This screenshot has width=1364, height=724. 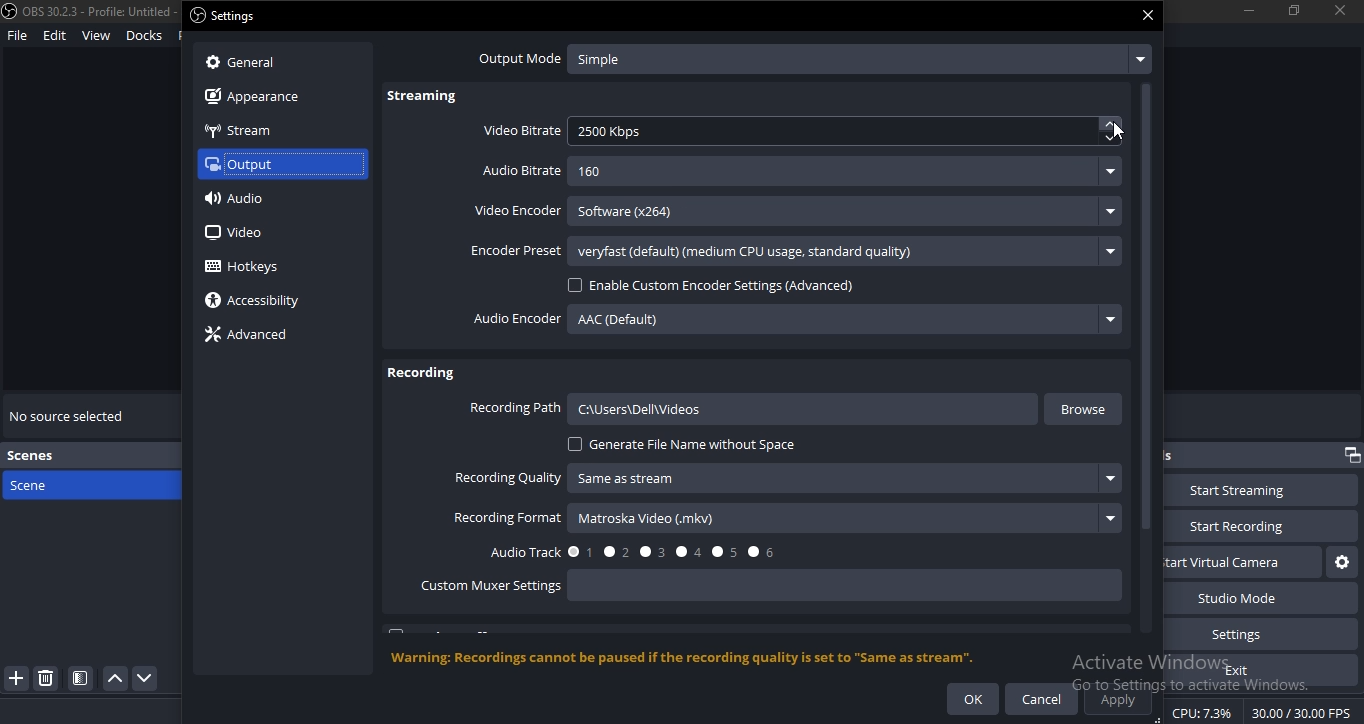 What do you see at coordinates (234, 231) in the screenshot?
I see `video` at bounding box center [234, 231].